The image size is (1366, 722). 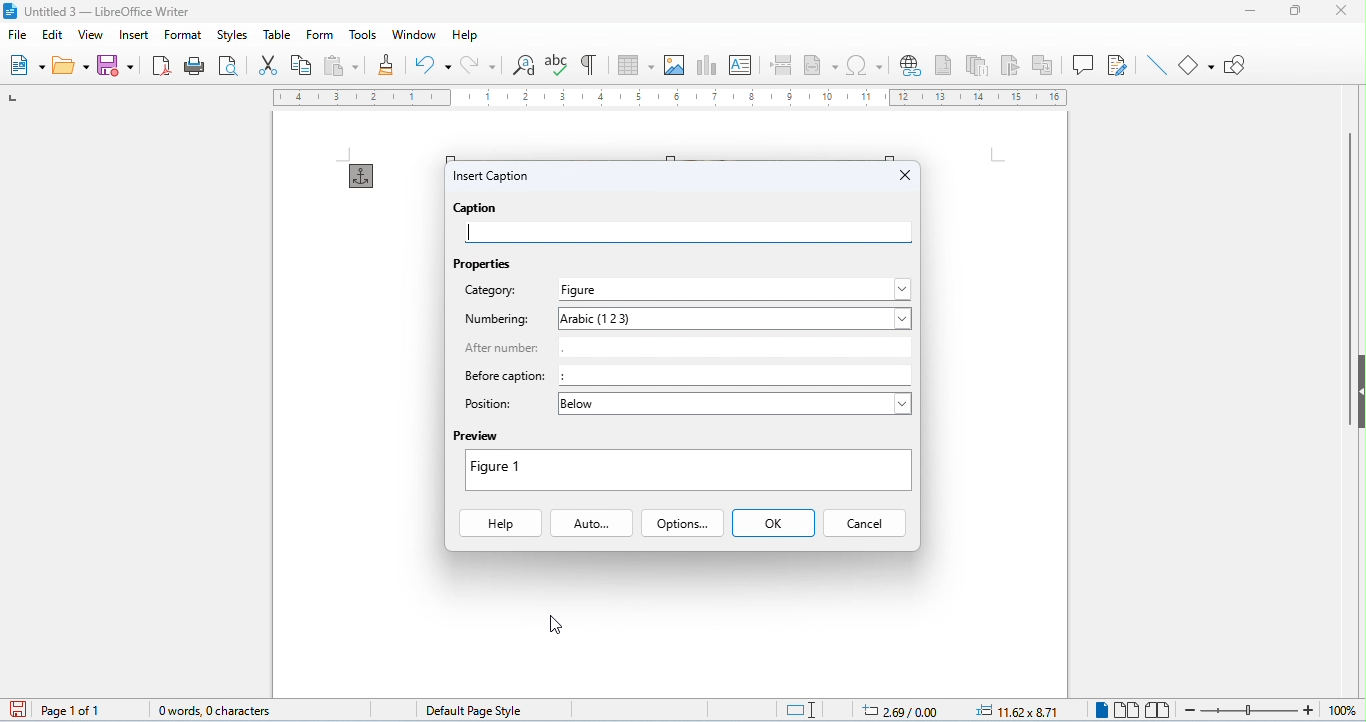 What do you see at coordinates (53, 35) in the screenshot?
I see `edit` at bounding box center [53, 35].